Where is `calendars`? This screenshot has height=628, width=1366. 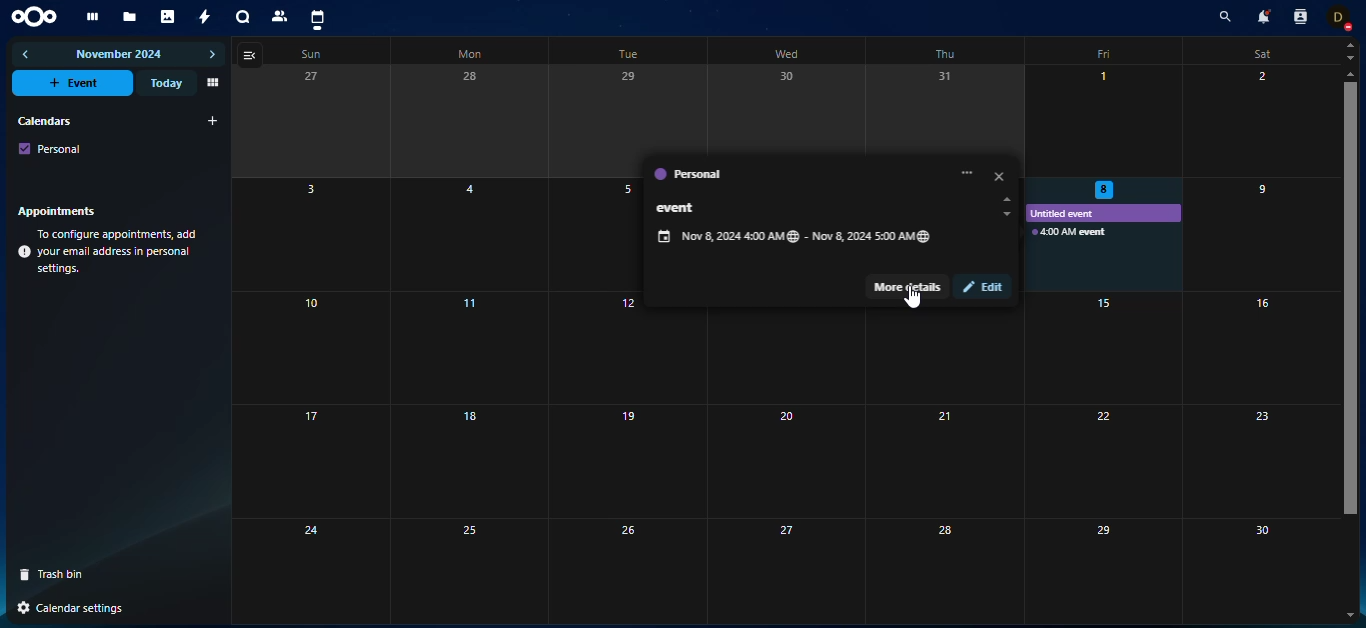 calendars is located at coordinates (43, 120).